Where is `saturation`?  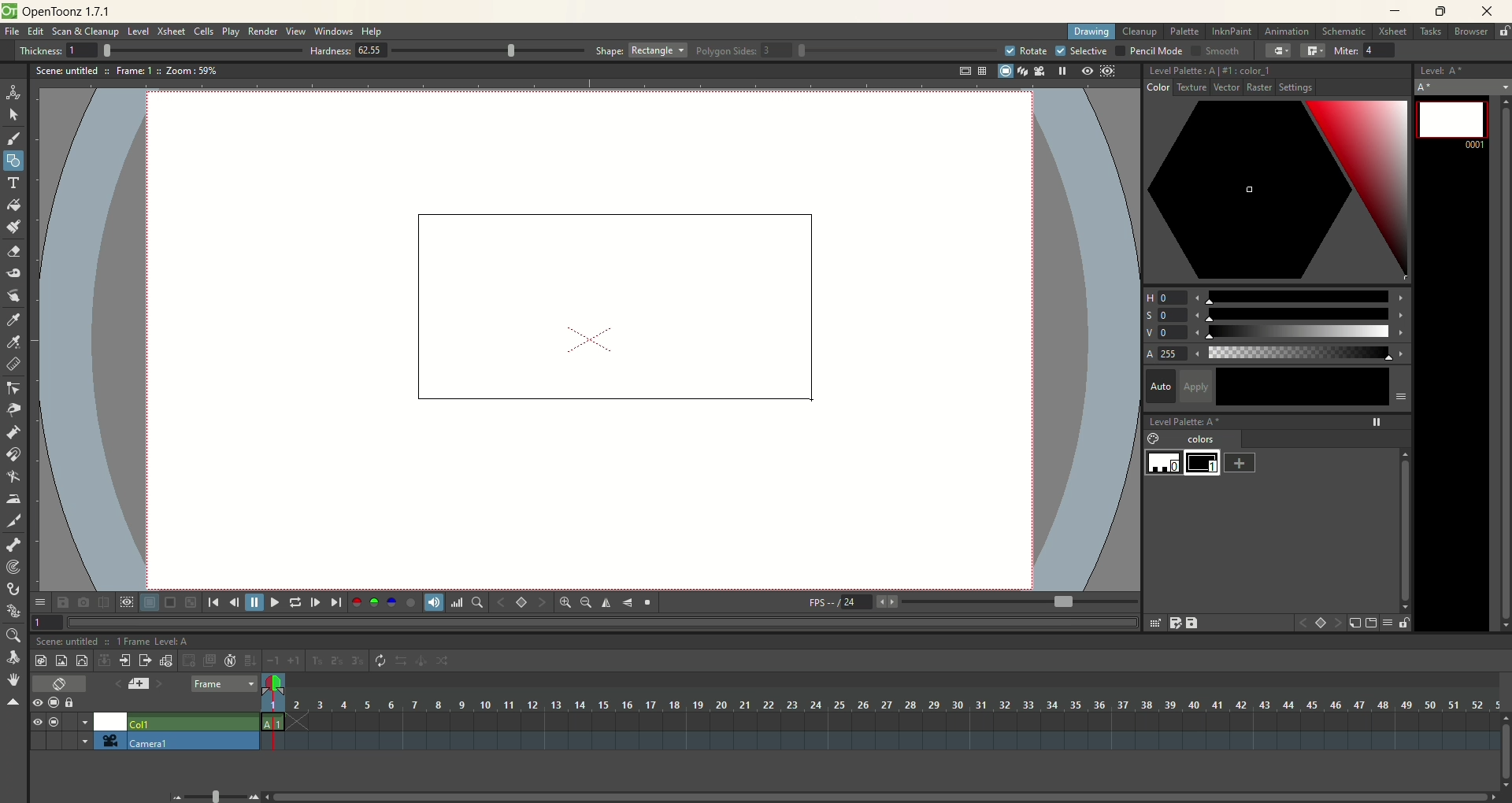 saturation is located at coordinates (1276, 315).